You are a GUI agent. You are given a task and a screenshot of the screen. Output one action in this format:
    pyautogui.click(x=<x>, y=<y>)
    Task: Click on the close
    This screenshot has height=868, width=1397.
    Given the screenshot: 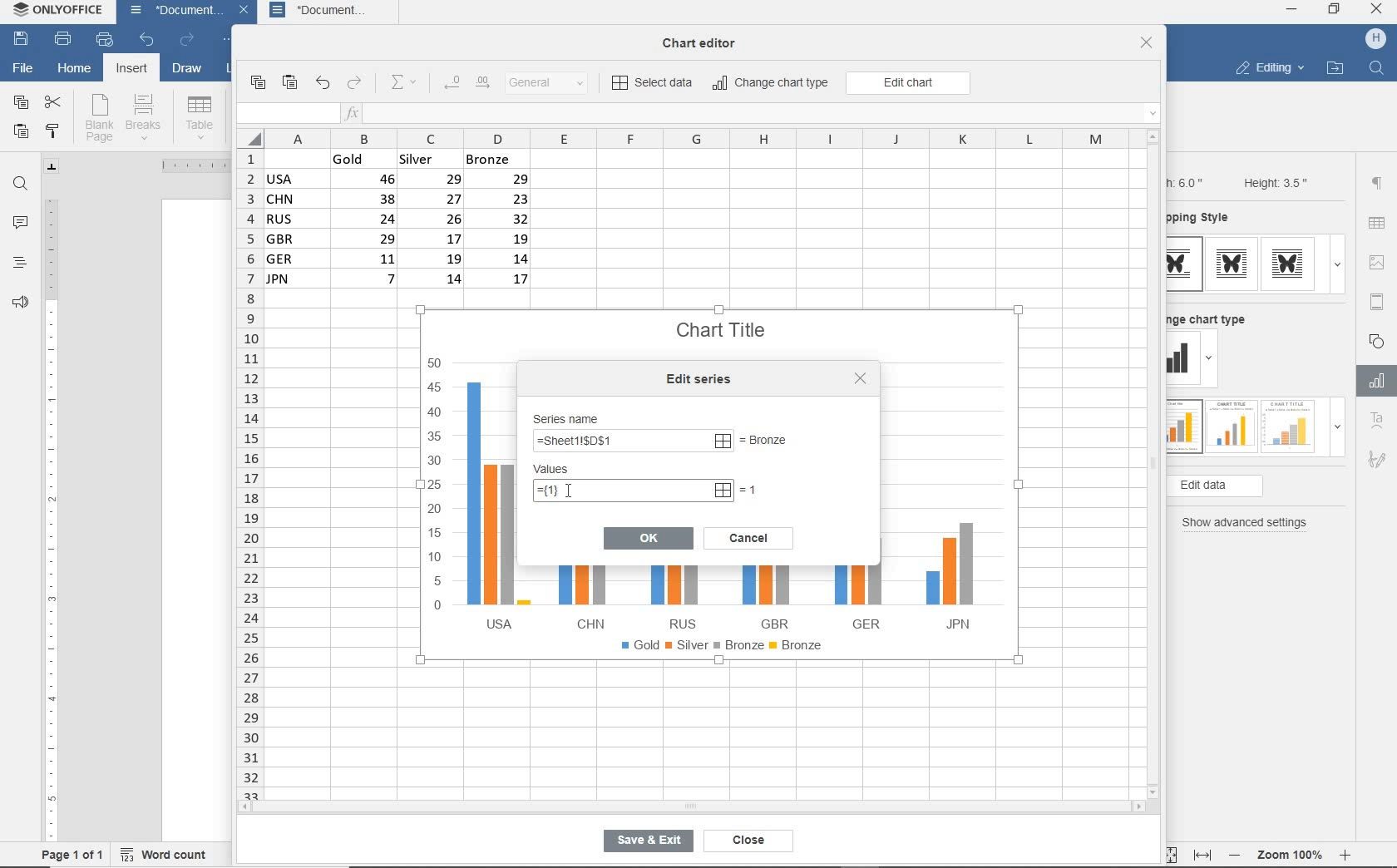 What is the action you would take?
    pyautogui.click(x=1147, y=44)
    